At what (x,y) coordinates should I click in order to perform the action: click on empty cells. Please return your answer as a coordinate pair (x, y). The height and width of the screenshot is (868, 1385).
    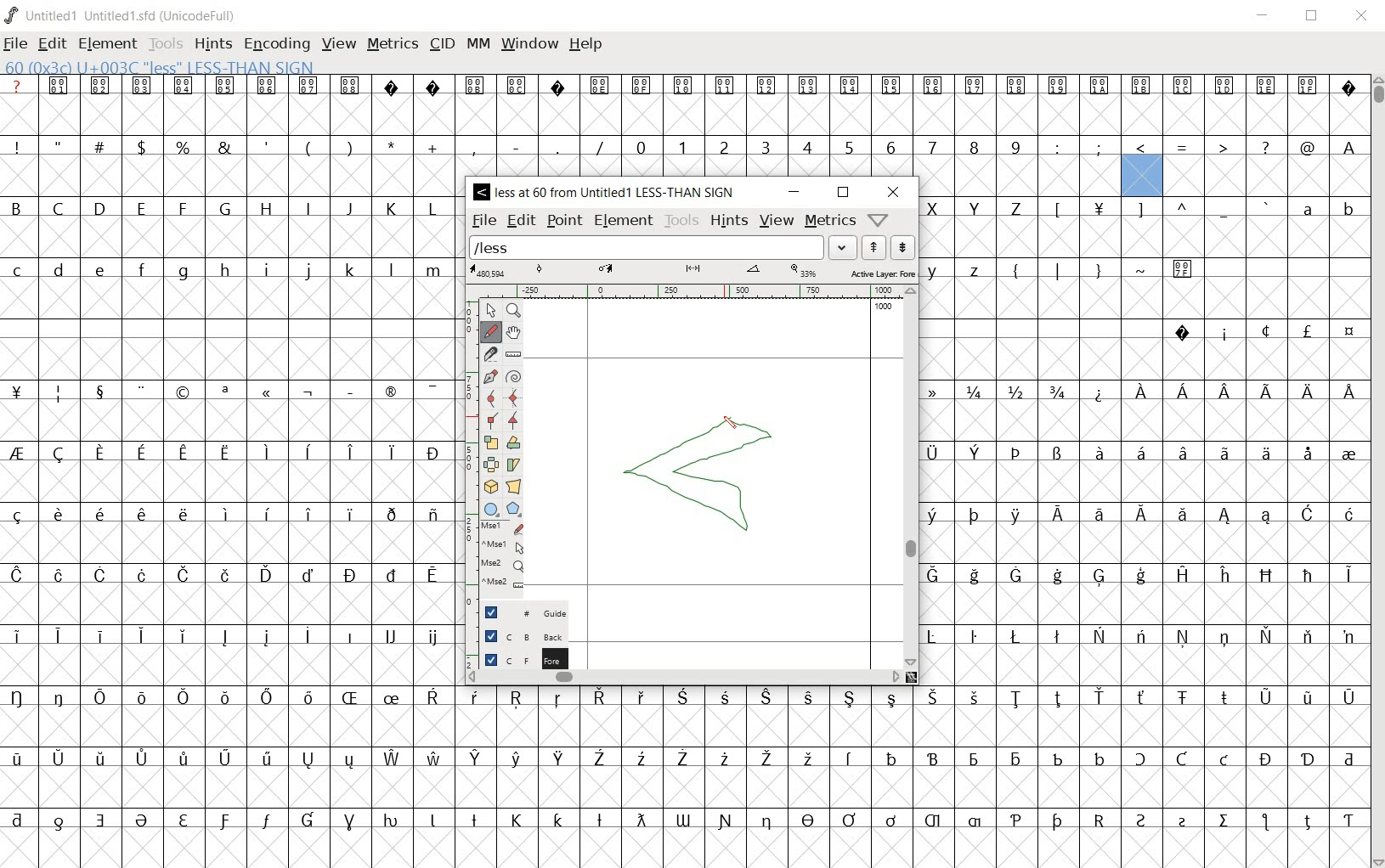
    Looking at the image, I should click on (683, 726).